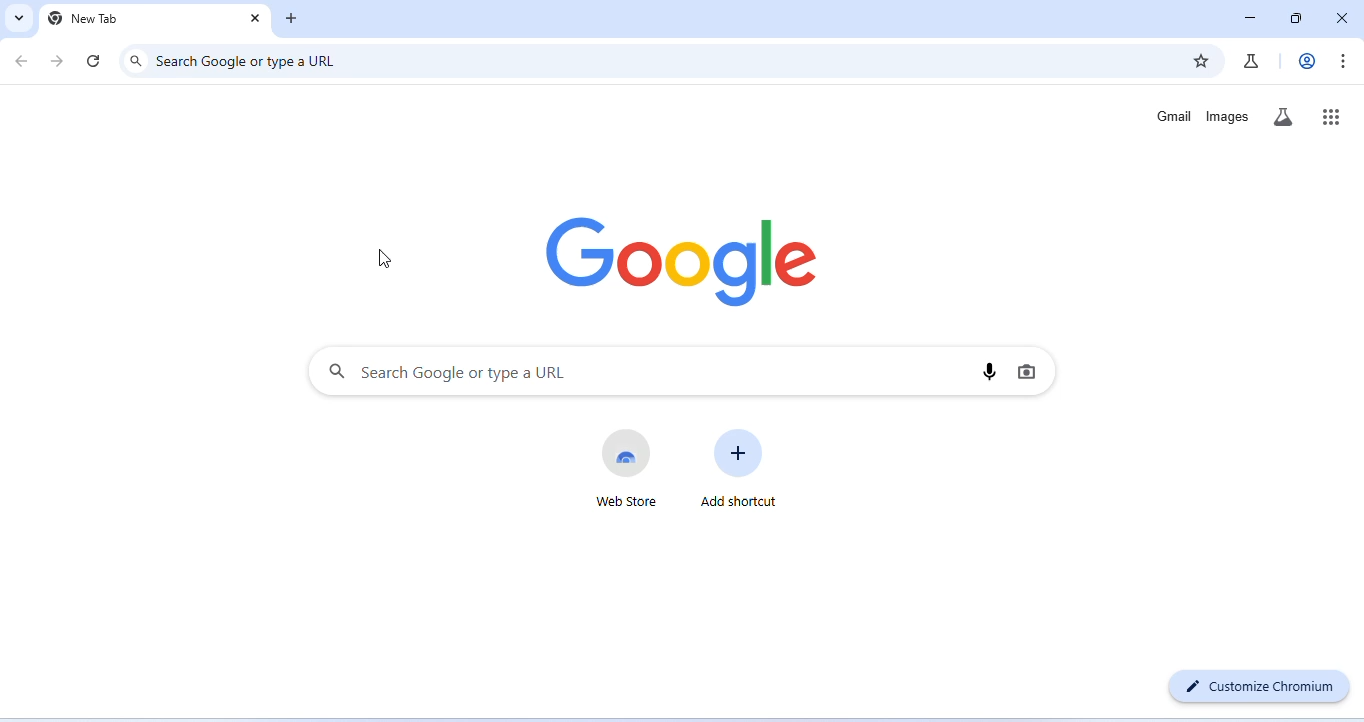 This screenshot has height=722, width=1364. I want to click on new tab, so click(84, 19).